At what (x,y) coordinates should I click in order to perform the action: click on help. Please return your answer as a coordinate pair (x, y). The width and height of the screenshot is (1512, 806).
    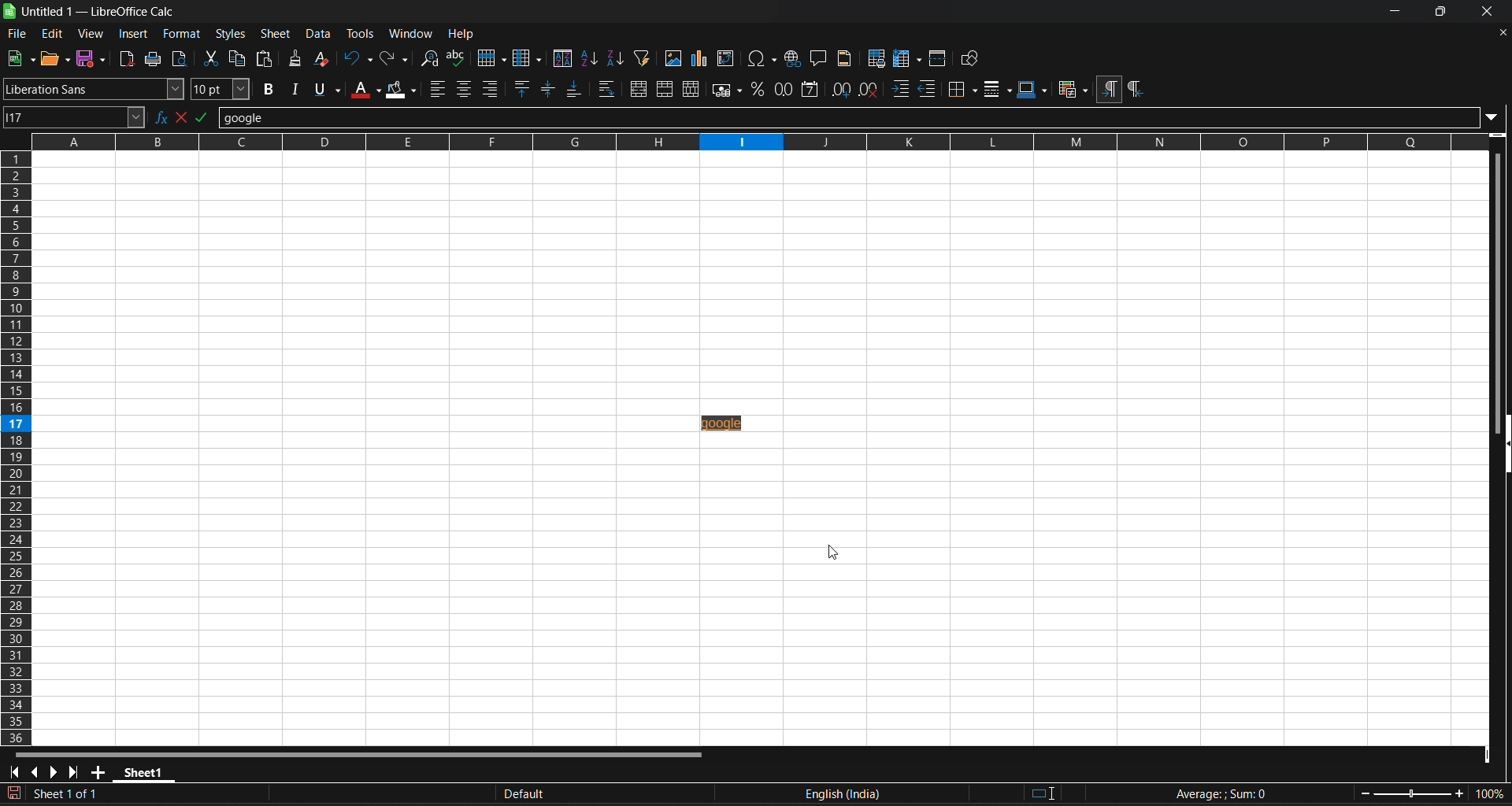
    Looking at the image, I should click on (461, 32).